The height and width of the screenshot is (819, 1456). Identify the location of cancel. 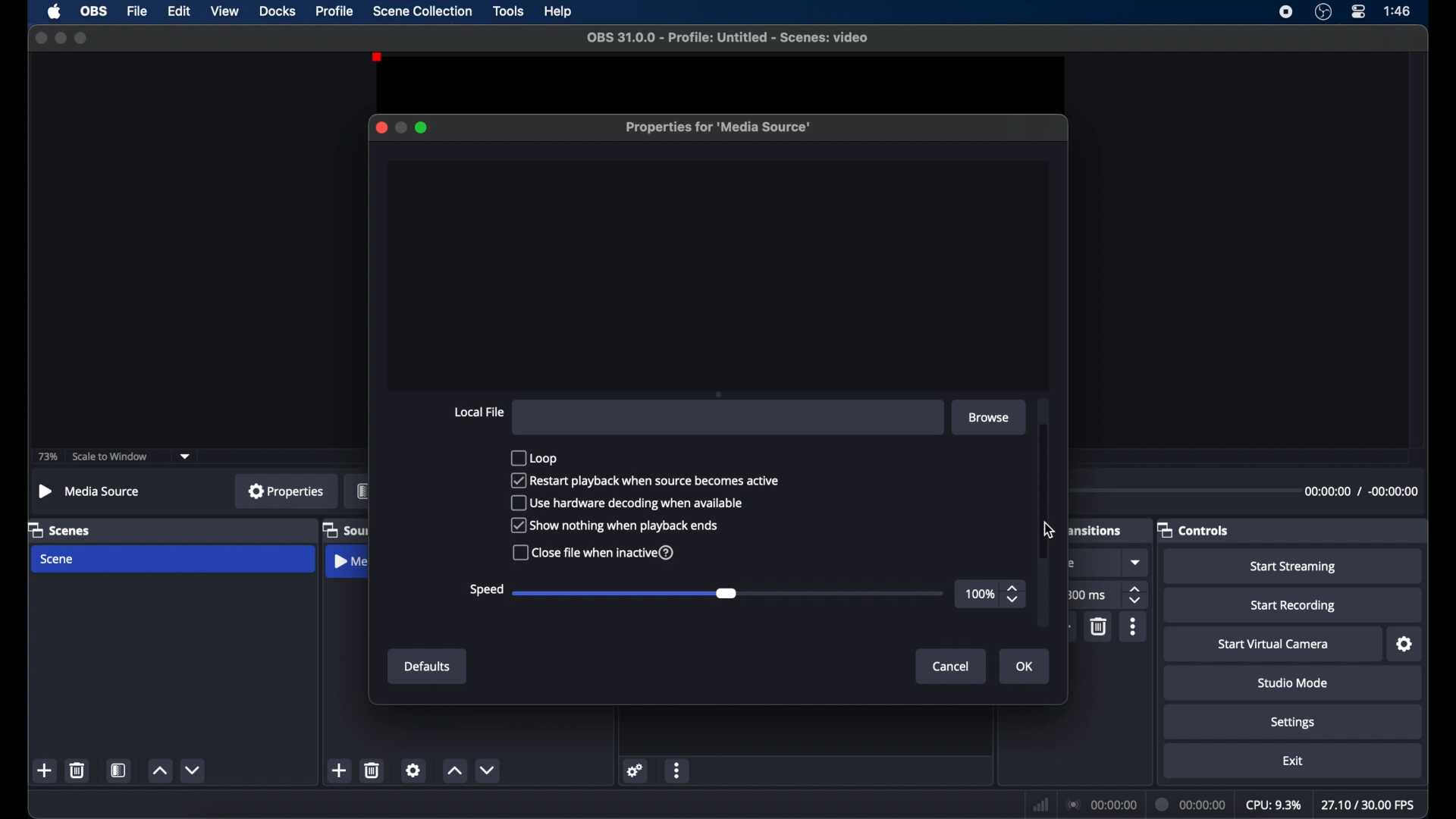
(952, 667).